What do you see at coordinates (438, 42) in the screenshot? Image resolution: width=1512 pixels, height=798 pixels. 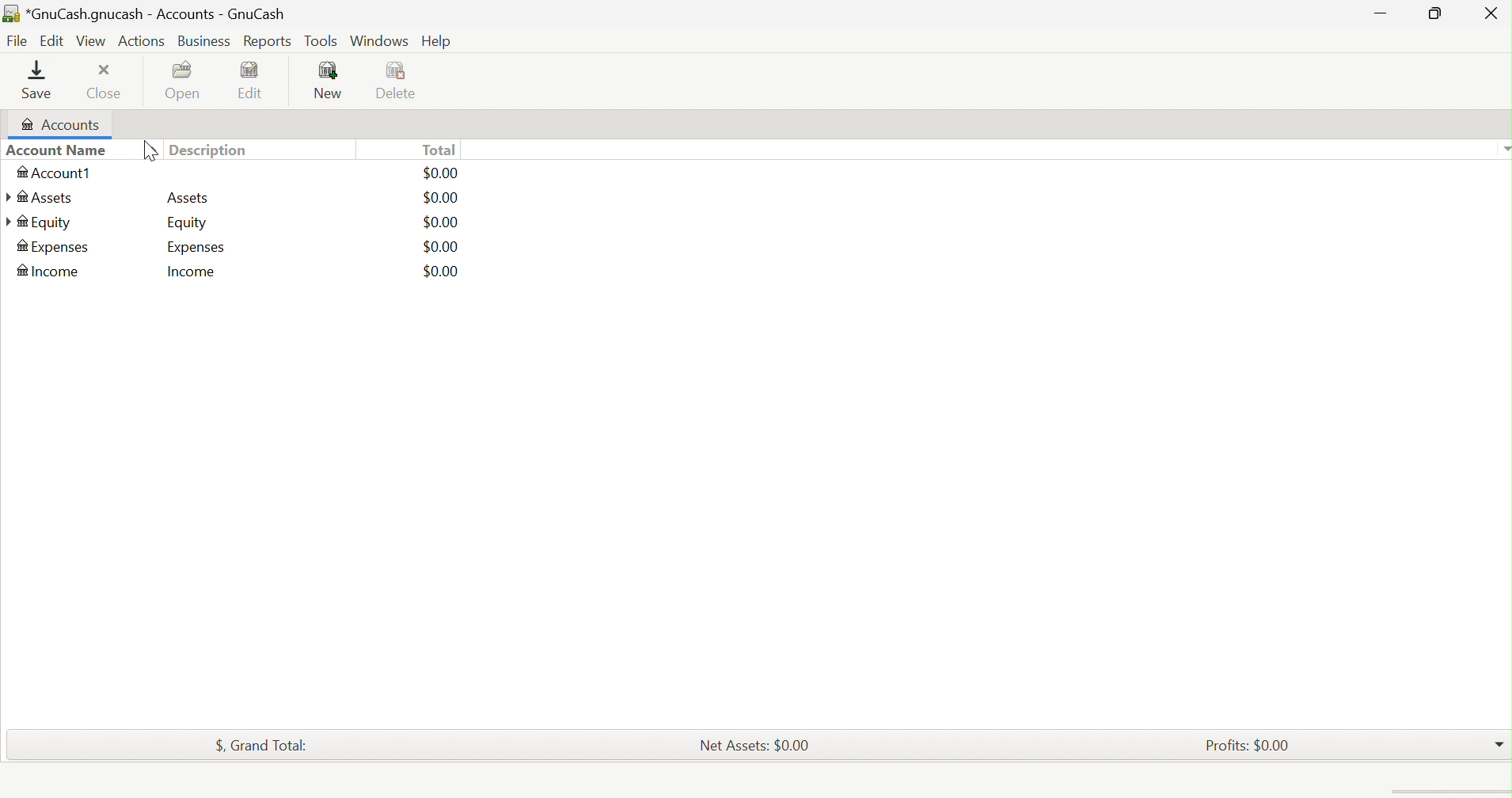 I see `Help` at bounding box center [438, 42].